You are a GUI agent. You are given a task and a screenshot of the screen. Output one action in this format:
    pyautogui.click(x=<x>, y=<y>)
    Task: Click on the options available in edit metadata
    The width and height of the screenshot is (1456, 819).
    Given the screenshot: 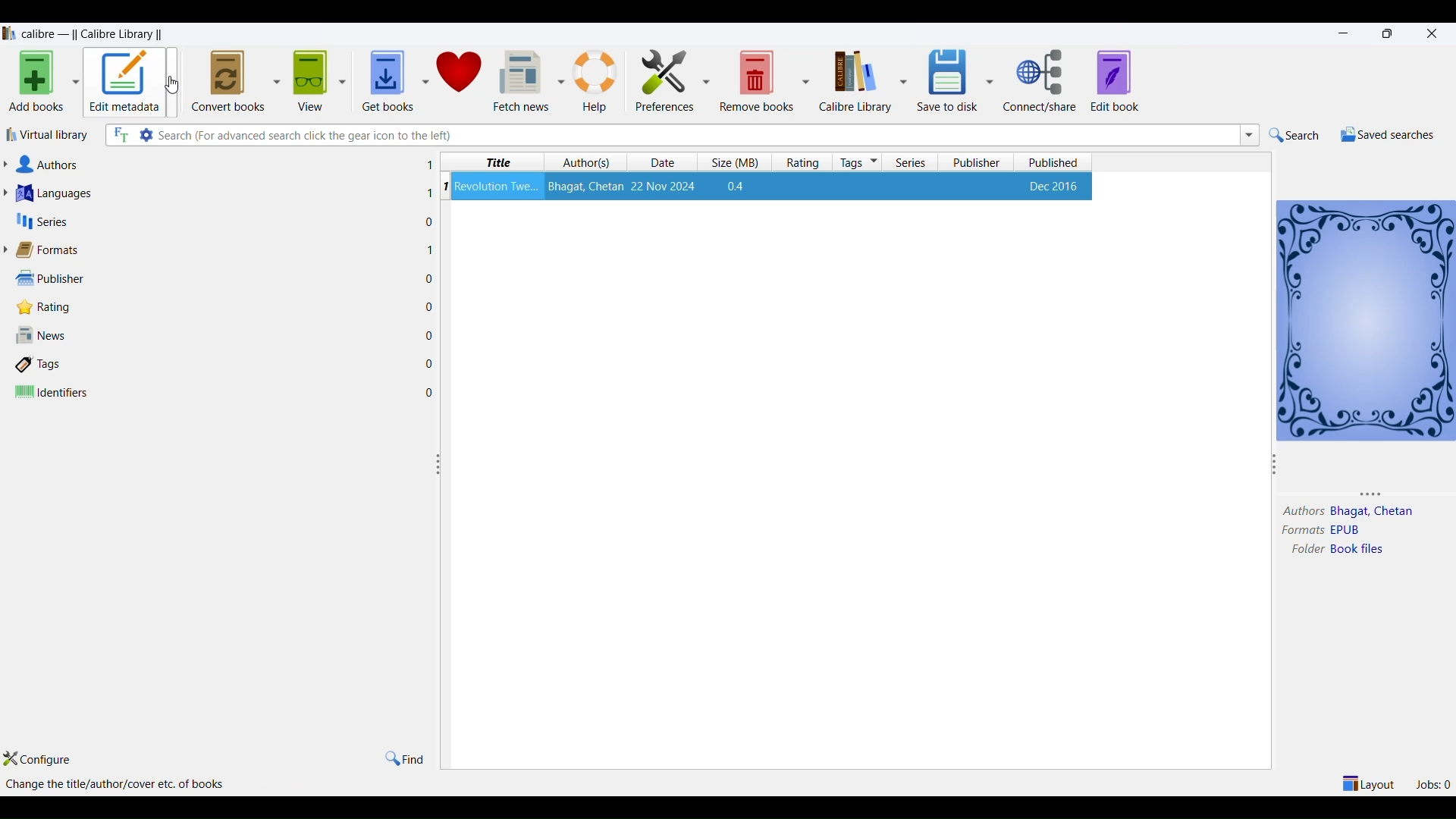 What is the action you would take?
    pyautogui.click(x=124, y=783)
    